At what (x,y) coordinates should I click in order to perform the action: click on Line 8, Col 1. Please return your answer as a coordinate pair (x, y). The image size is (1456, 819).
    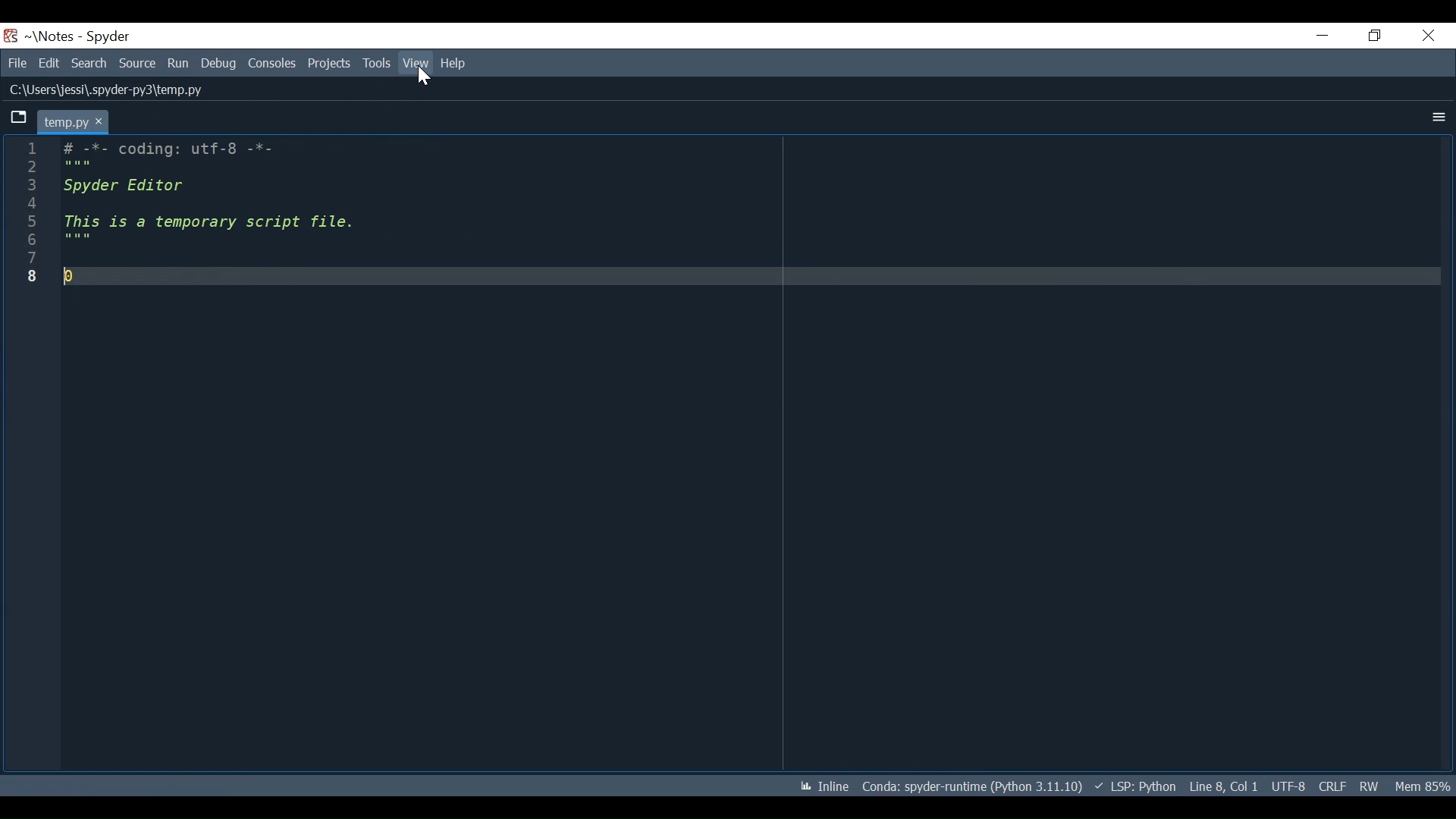
    Looking at the image, I should click on (1222, 787).